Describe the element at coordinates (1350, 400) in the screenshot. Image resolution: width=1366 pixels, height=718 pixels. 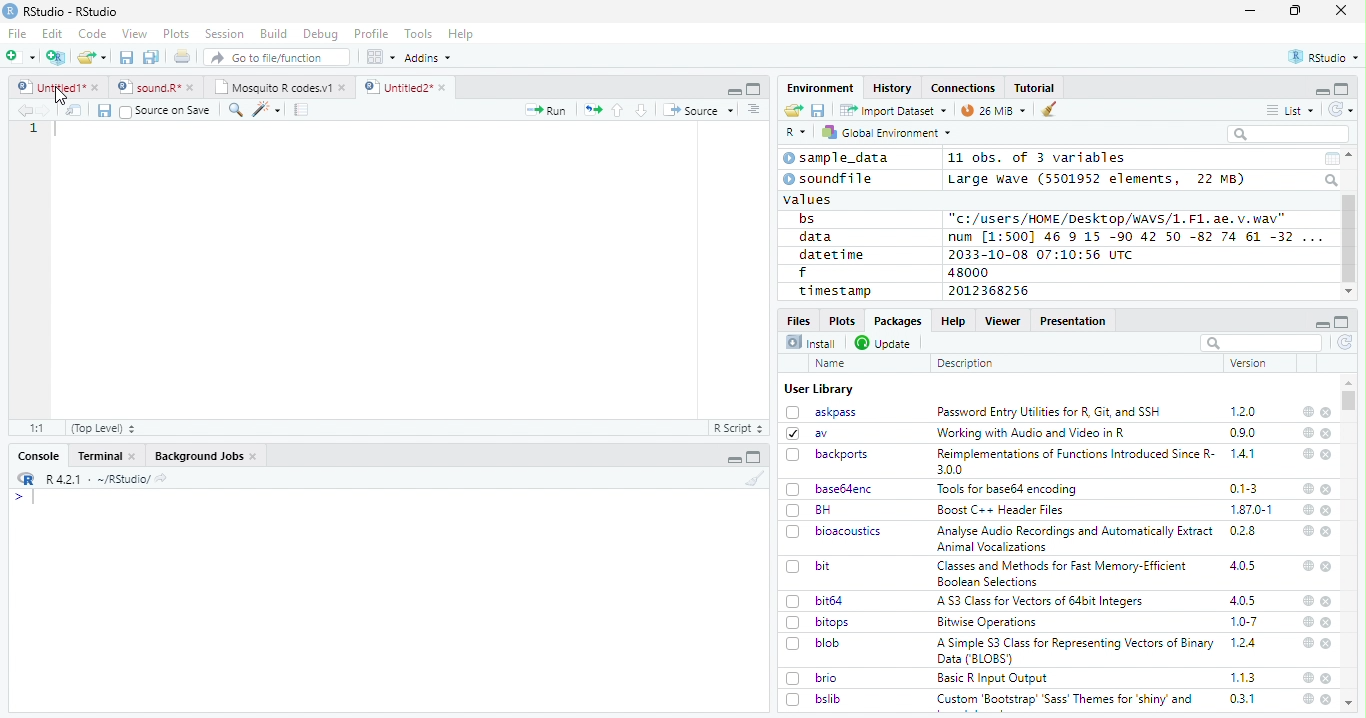
I see `scroll bar` at that location.